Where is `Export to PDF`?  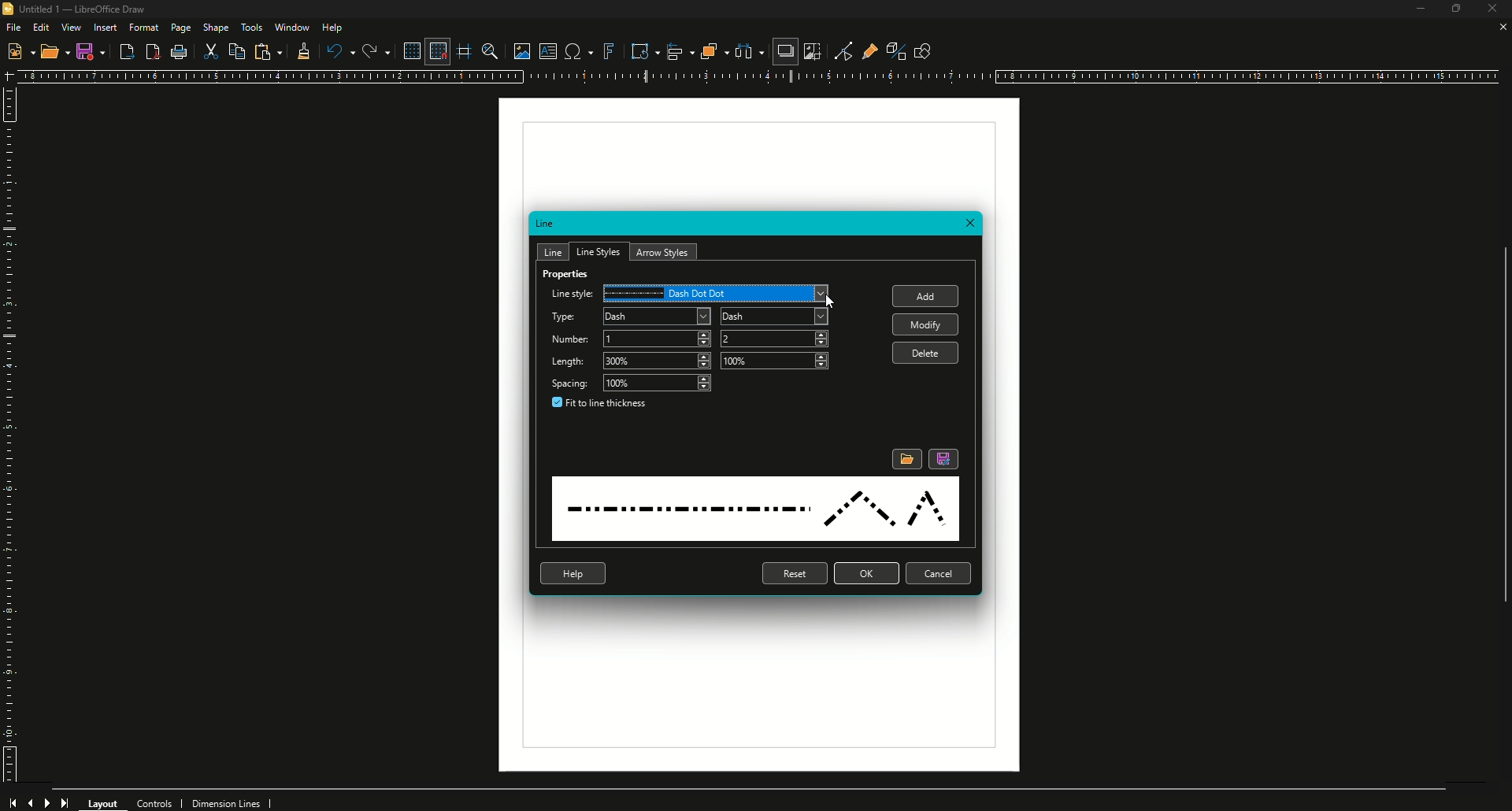
Export to PDF is located at coordinates (150, 52).